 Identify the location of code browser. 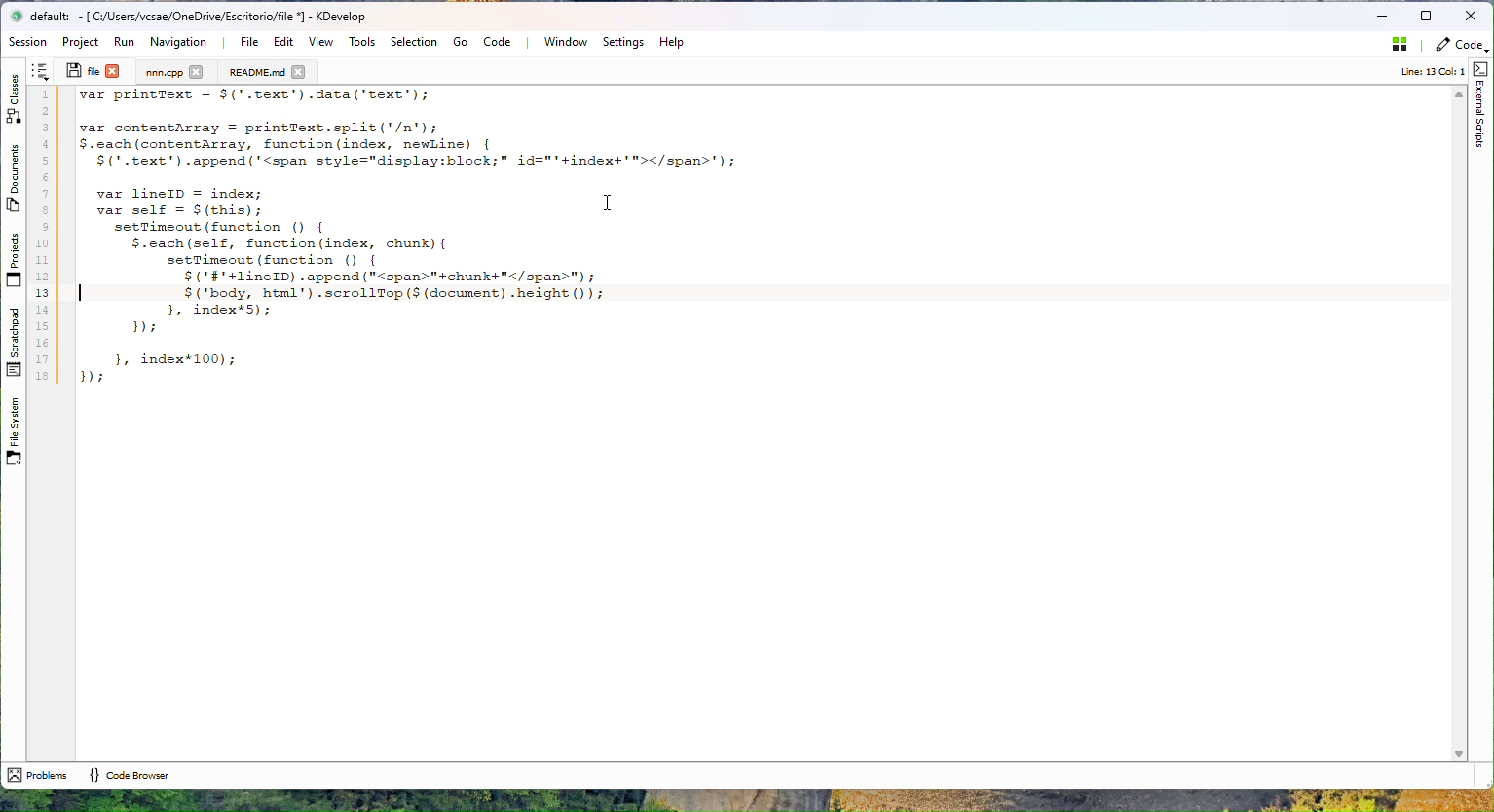
(129, 774).